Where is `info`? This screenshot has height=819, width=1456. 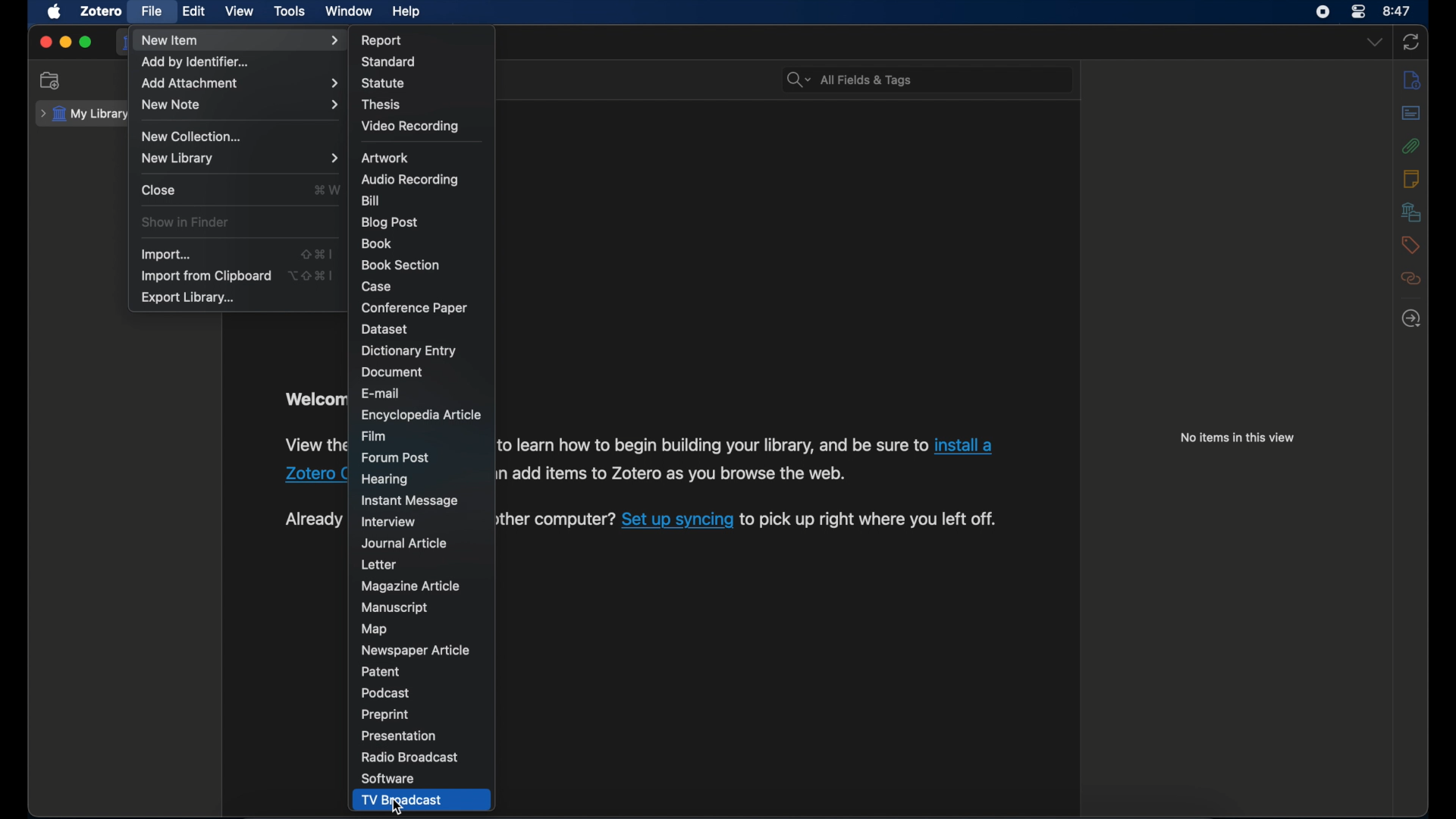
info is located at coordinates (1414, 79).